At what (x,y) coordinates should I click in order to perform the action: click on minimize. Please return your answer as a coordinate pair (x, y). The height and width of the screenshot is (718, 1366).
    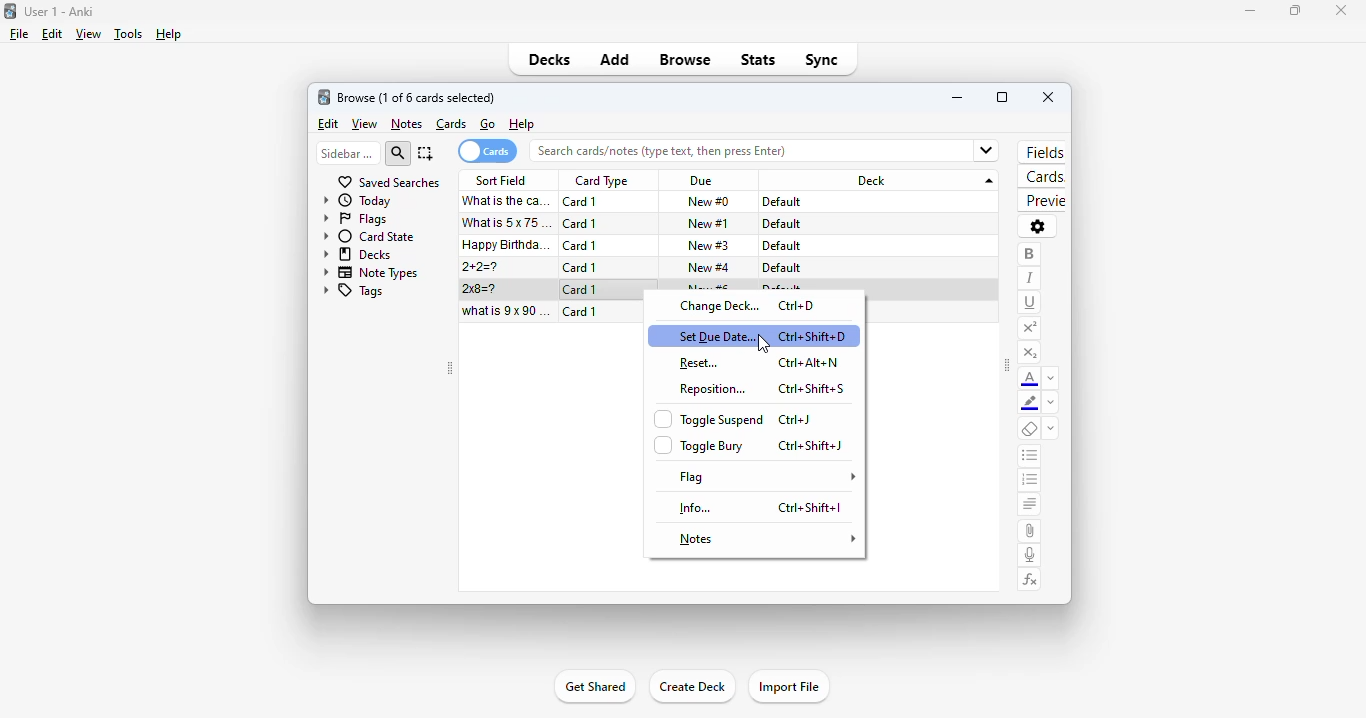
    Looking at the image, I should click on (958, 97).